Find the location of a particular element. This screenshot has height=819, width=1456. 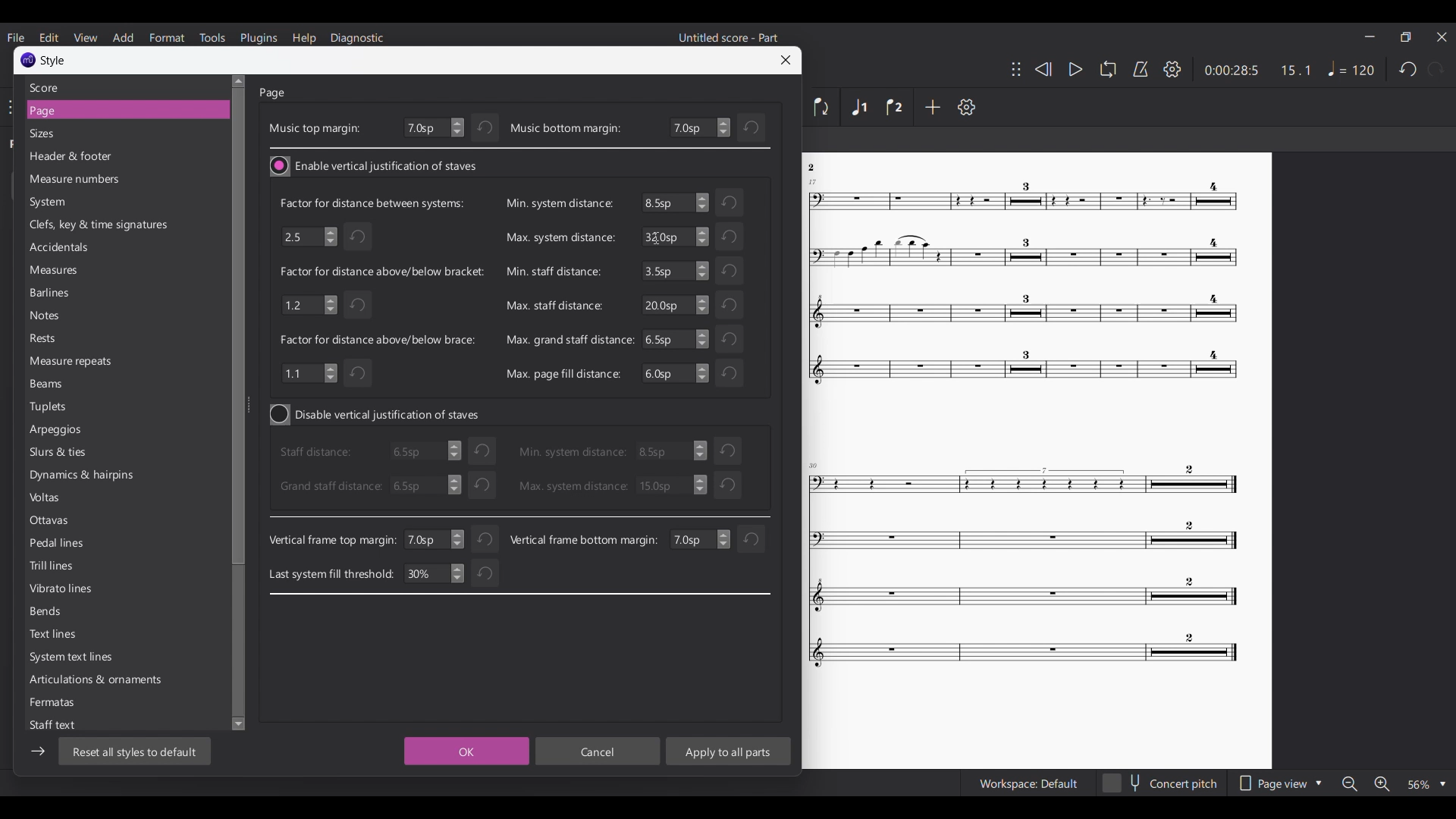

Loop playback is located at coordinates (1108, 69).